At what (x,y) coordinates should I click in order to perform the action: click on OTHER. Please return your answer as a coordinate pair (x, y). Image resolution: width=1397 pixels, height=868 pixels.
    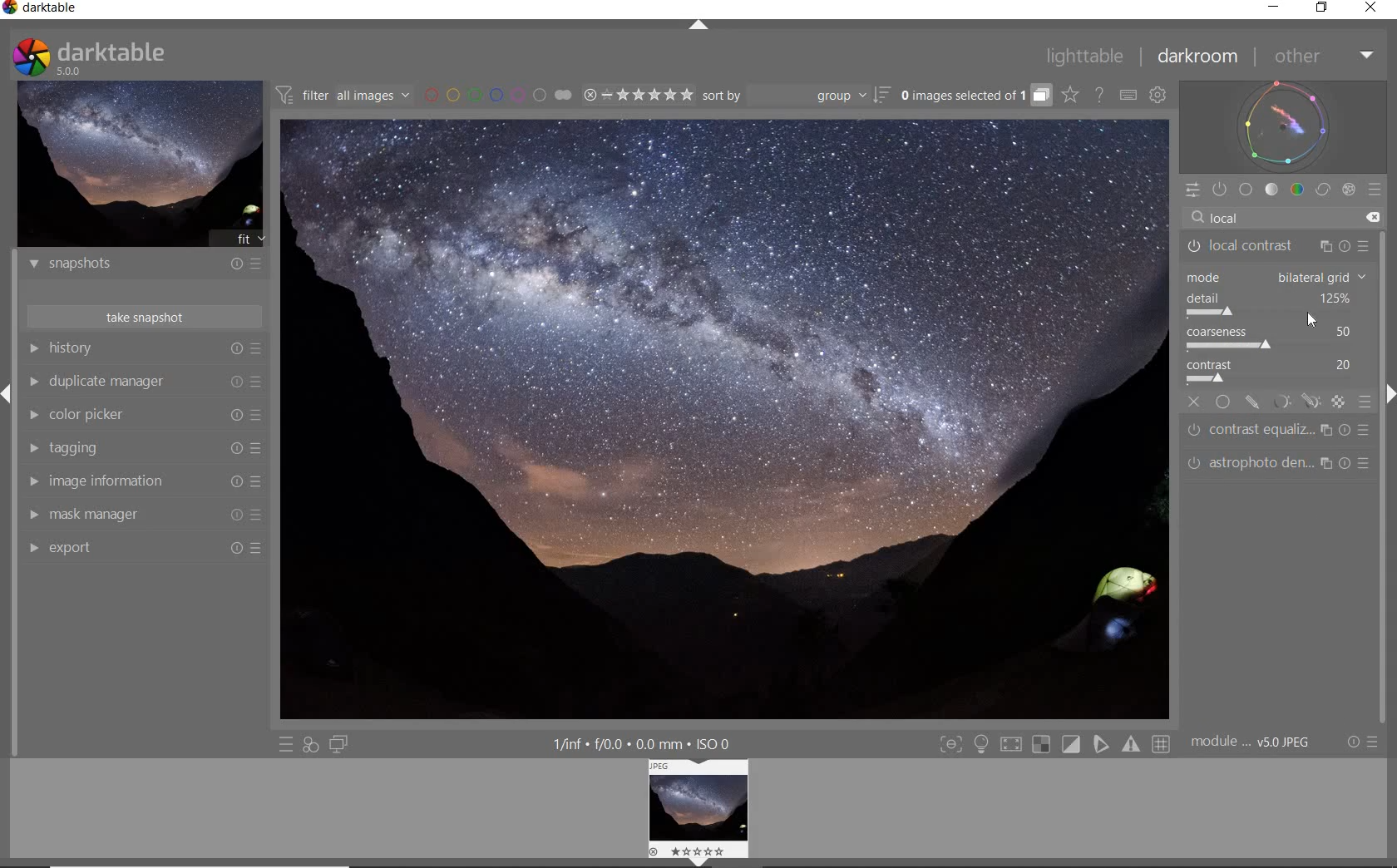
    Looking at the image, I should click on (1324, 57).